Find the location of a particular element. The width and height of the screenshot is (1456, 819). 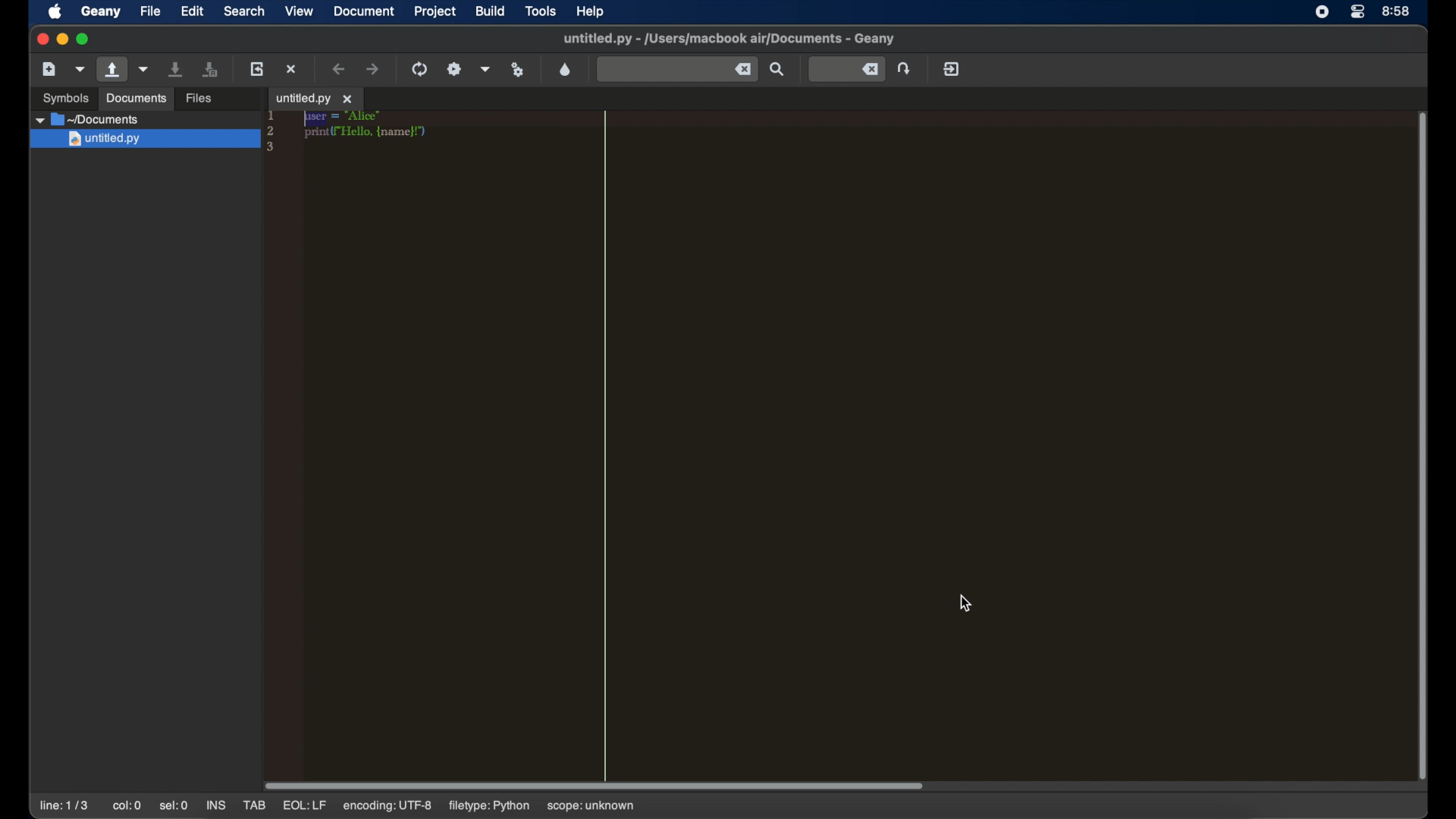

open color chooser dialog is located at coordinates (566, 69).